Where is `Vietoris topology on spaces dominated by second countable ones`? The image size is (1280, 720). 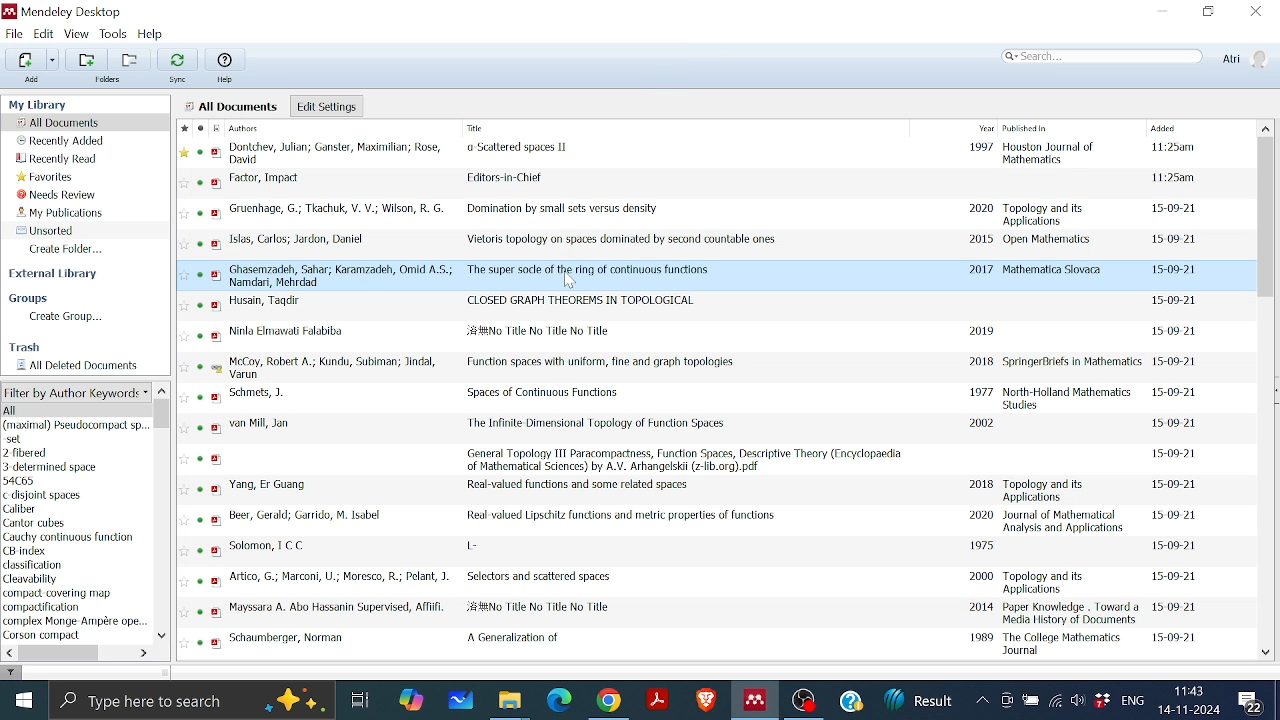 Vietoris topology on spaces dominated by second countable ones is located at coordinates (707, 244).